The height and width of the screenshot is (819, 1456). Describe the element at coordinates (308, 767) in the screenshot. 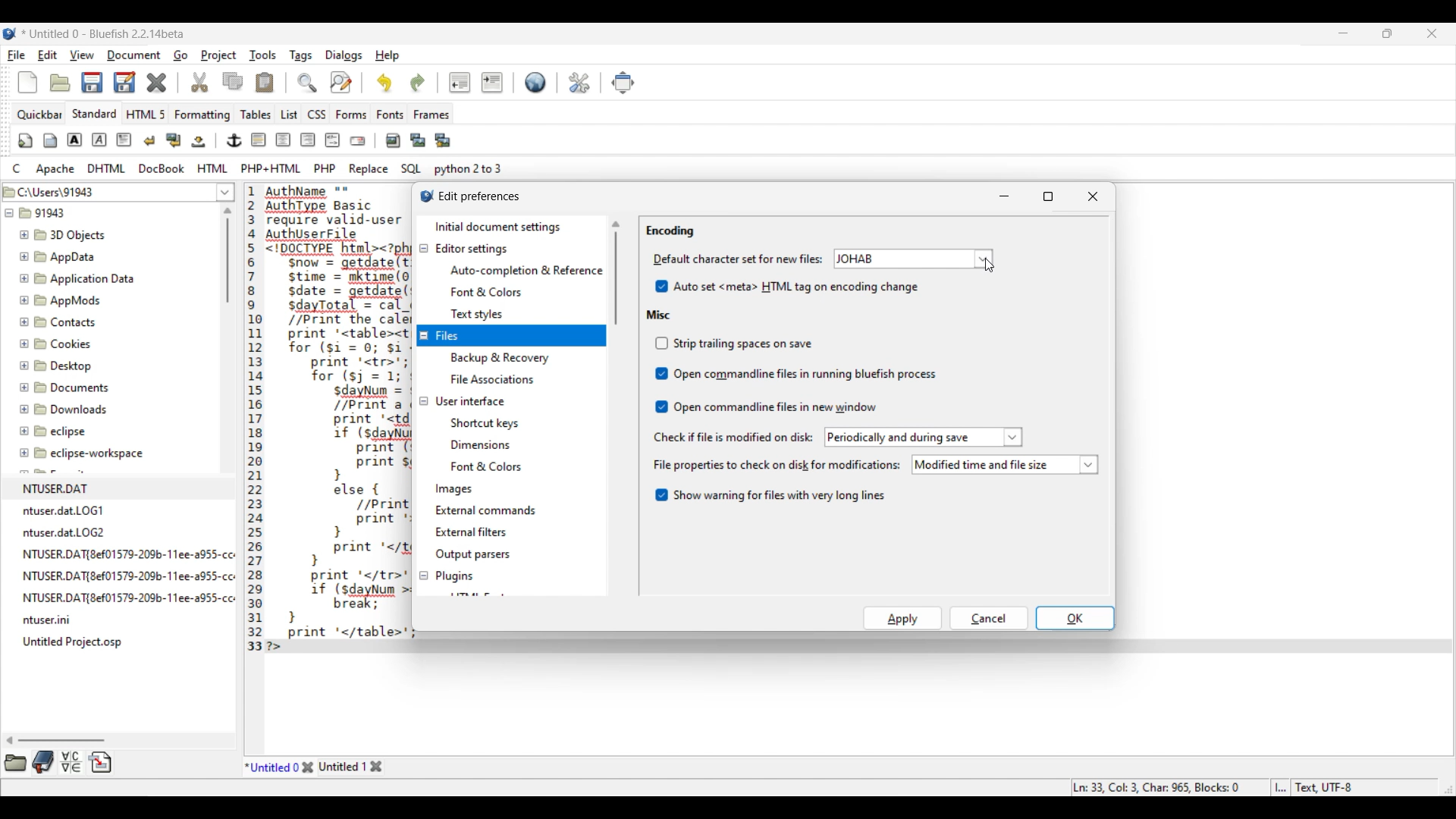

I see `Close tab` at that location.